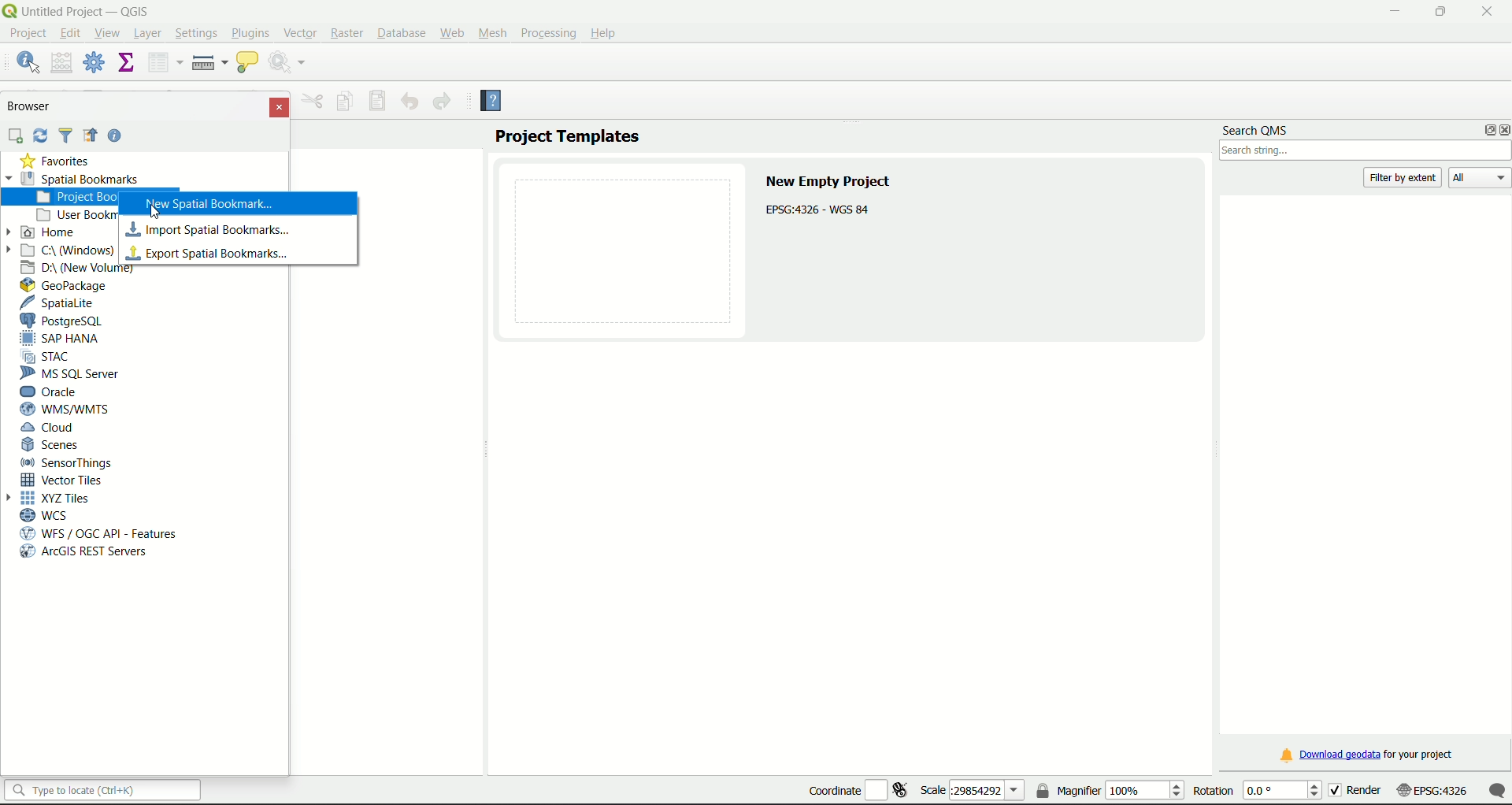  What do you see at coordinates (79, 10) in the screenshot?
I see `title and logo` at bounding box center [79, 10].